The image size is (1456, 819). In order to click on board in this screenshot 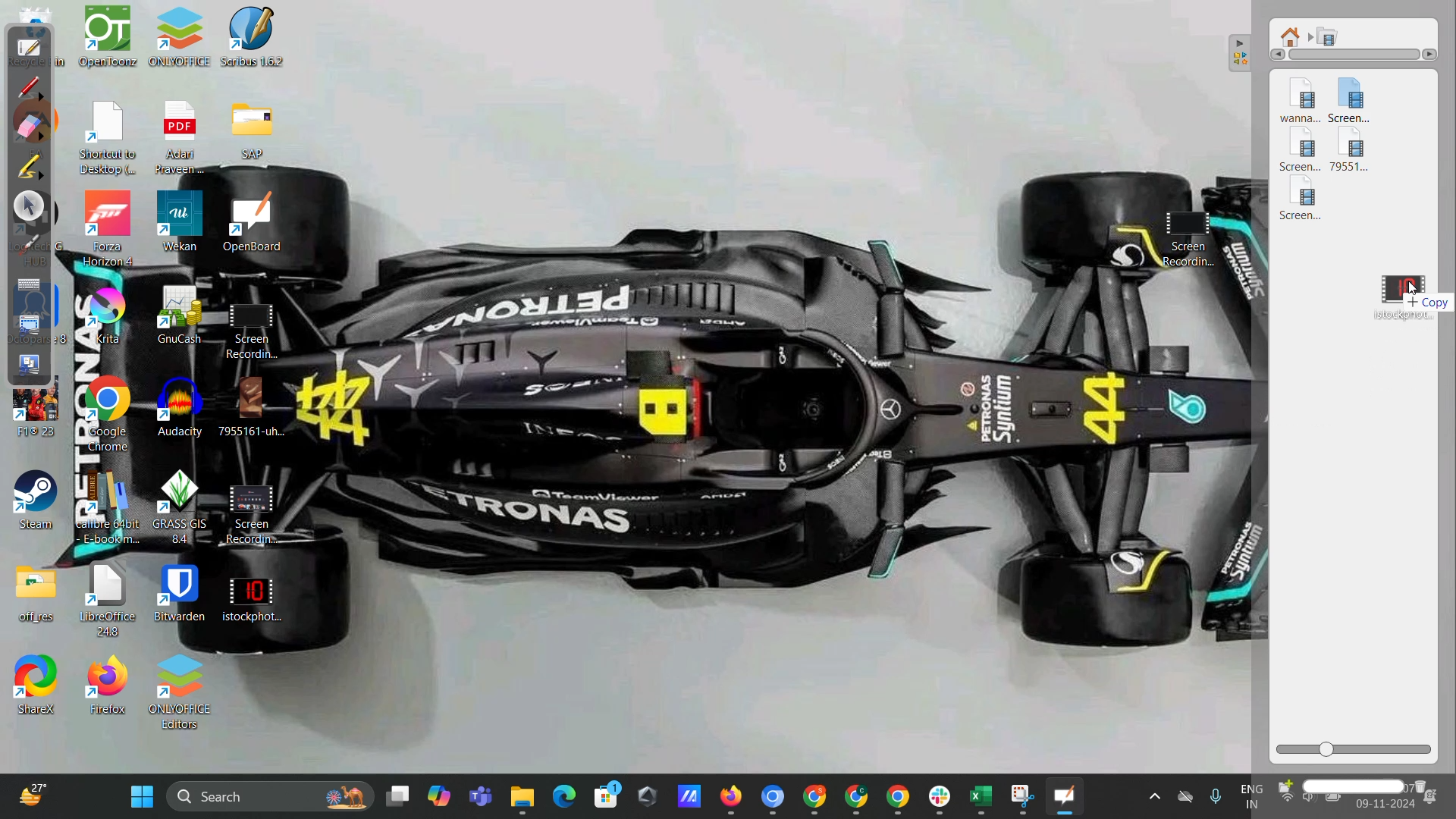, I will do `click(30, 51)`.